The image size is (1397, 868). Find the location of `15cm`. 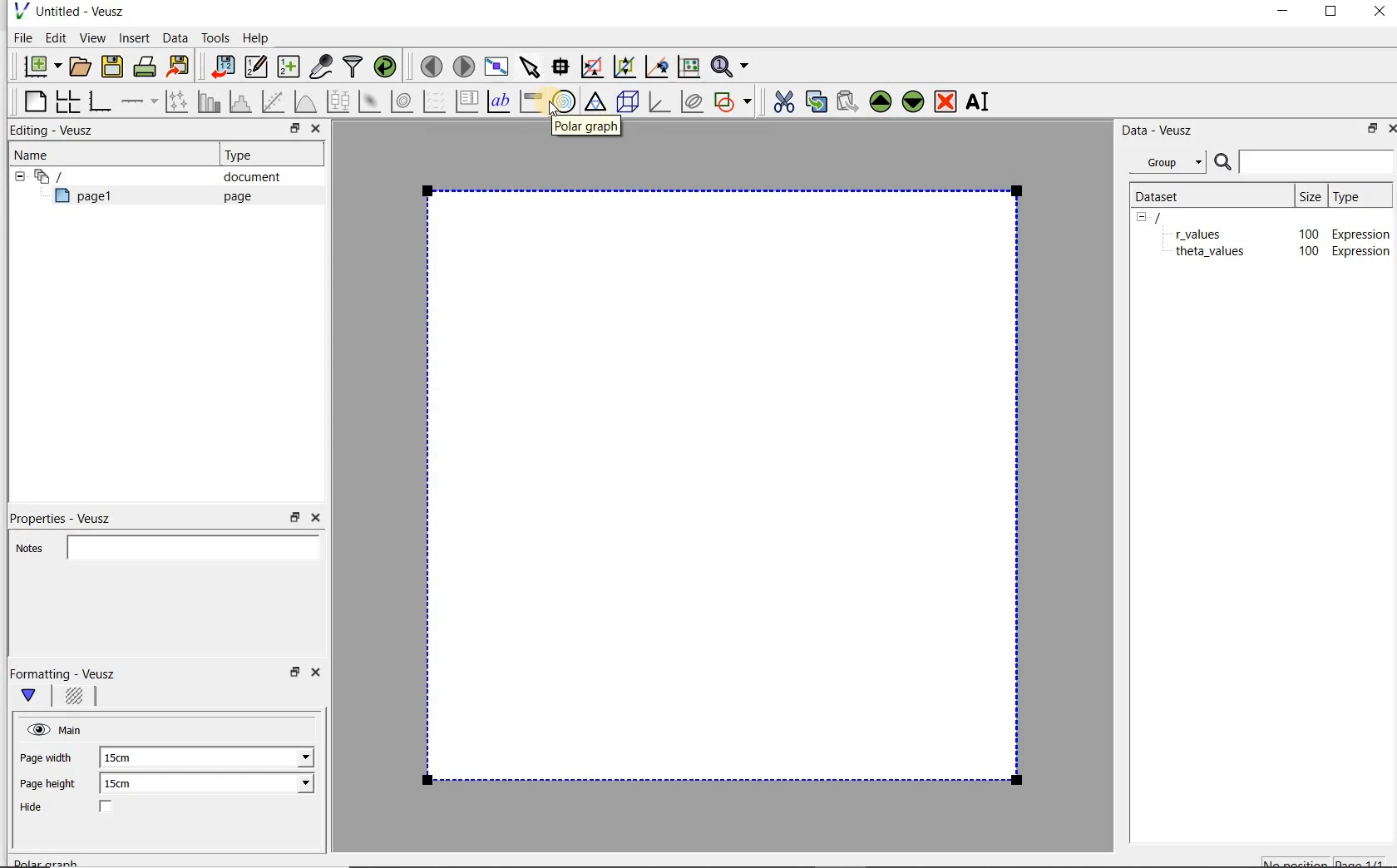

15cm is located at coordinates (128, 784).